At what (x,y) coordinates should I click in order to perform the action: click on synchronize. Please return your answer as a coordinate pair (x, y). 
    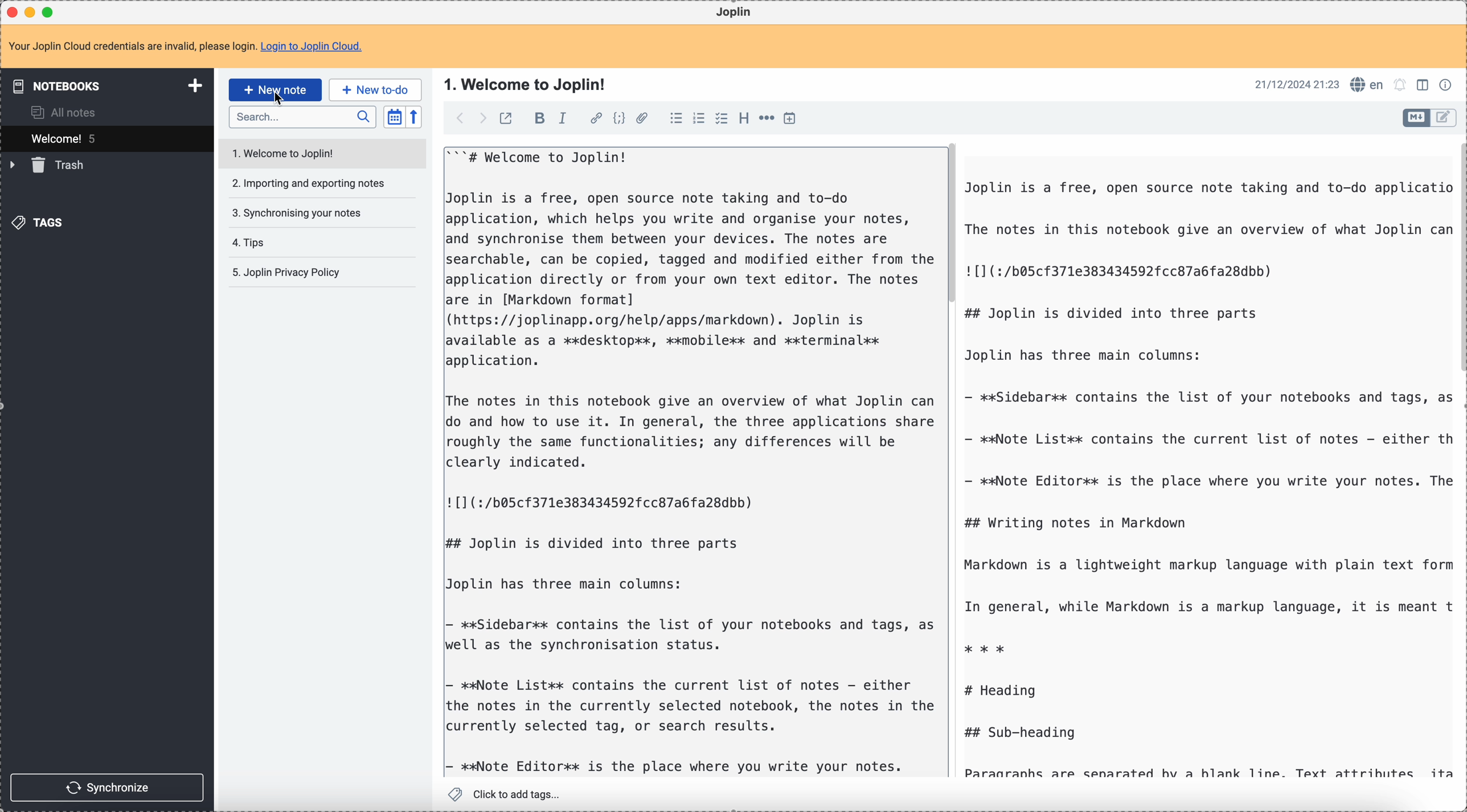
    Looking at the image, I should click on (109, 786).